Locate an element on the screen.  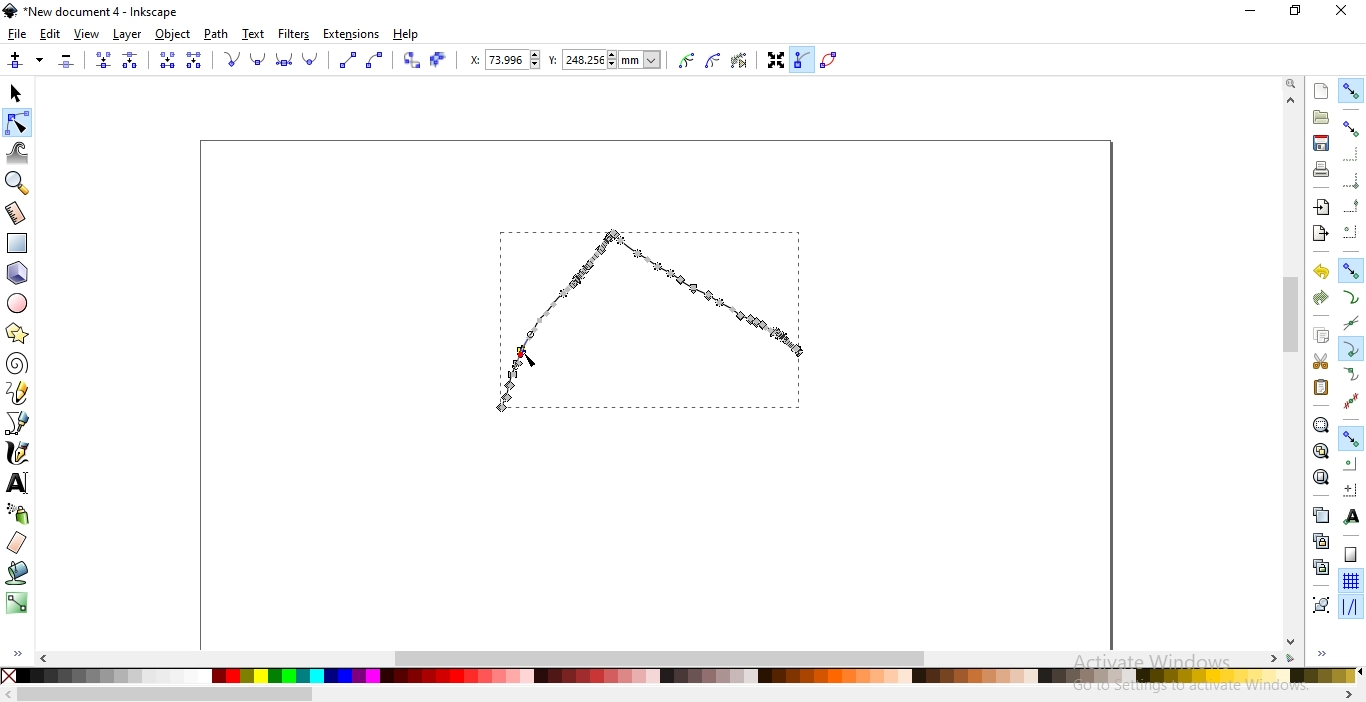
snap to path intersections is located at coordinates (1348, 322).